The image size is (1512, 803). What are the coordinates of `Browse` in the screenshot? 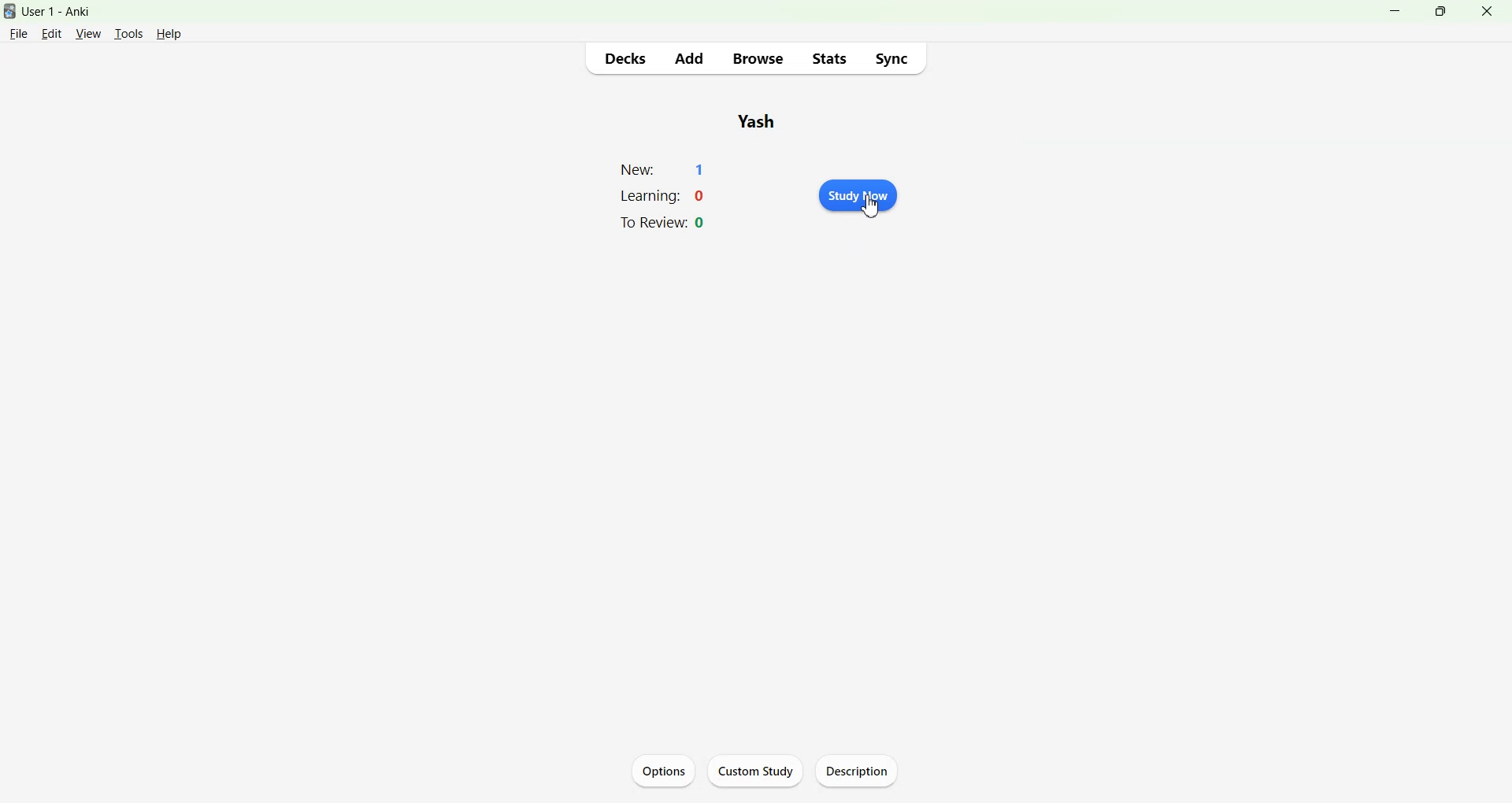 It's located at (759, 59).